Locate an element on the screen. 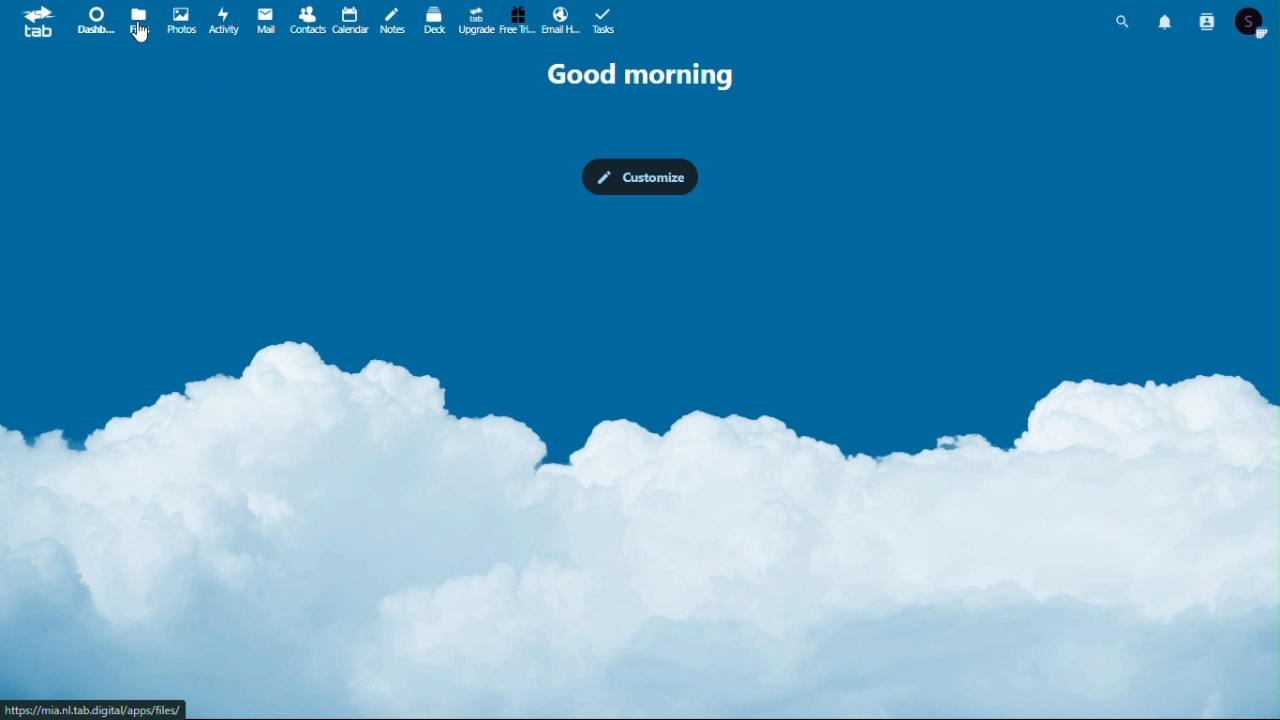  email hosting is located at coordinates (558, 20).